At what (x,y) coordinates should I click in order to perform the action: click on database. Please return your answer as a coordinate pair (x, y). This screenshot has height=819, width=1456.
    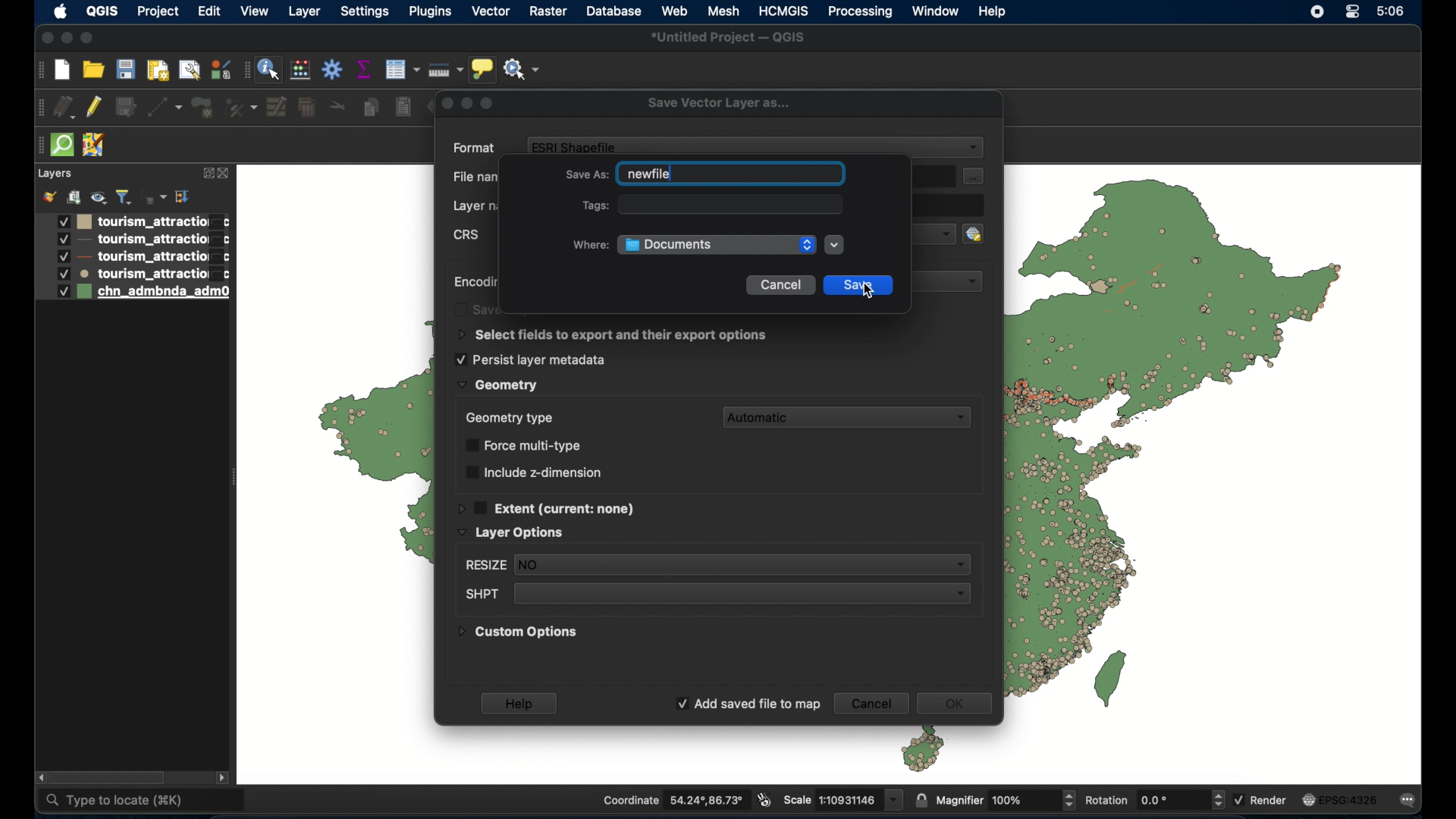
    Looking at the image, I should click on (613, 11).